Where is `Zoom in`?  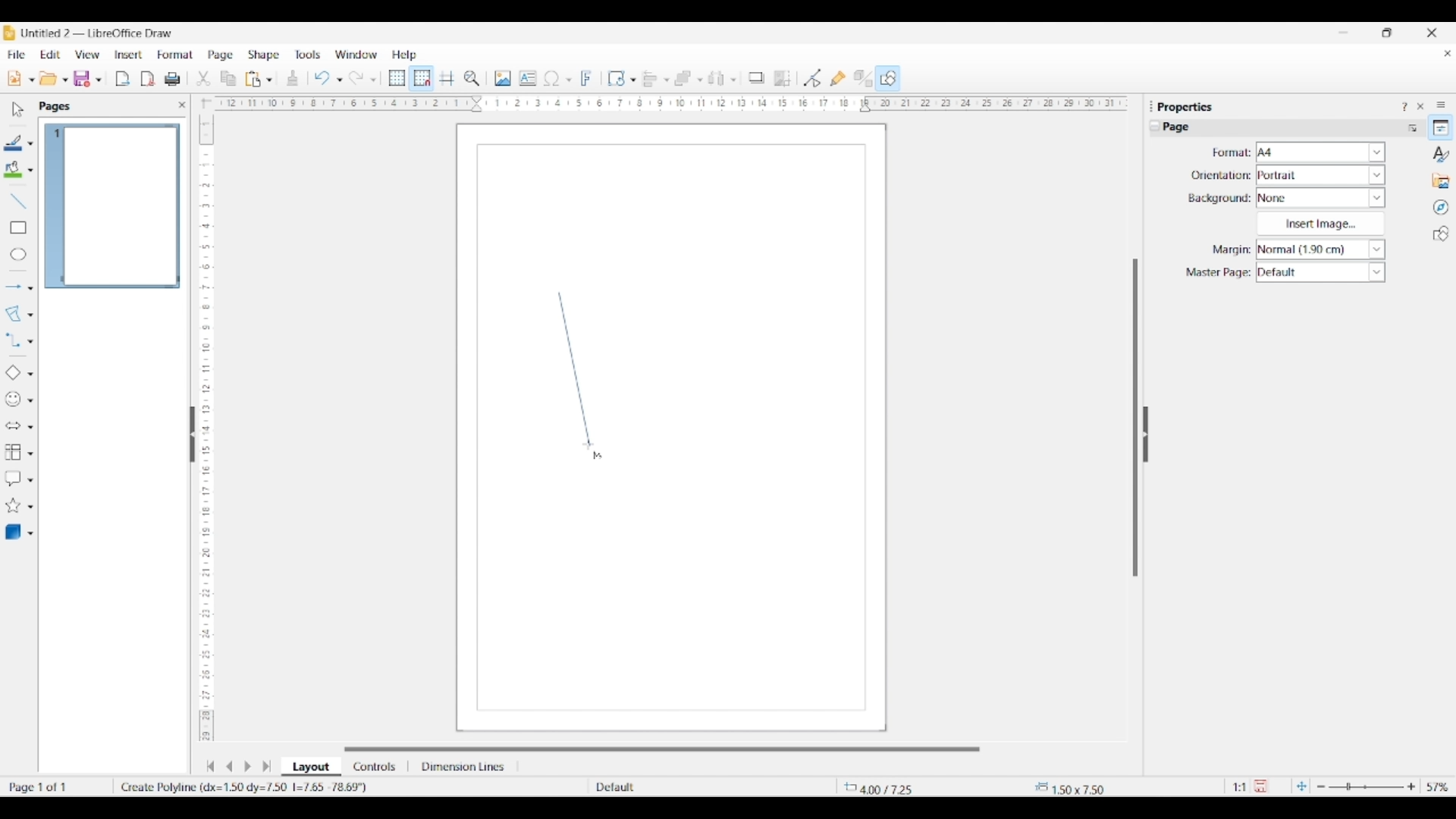
Zoom in is located at coordinates (1411, 786).